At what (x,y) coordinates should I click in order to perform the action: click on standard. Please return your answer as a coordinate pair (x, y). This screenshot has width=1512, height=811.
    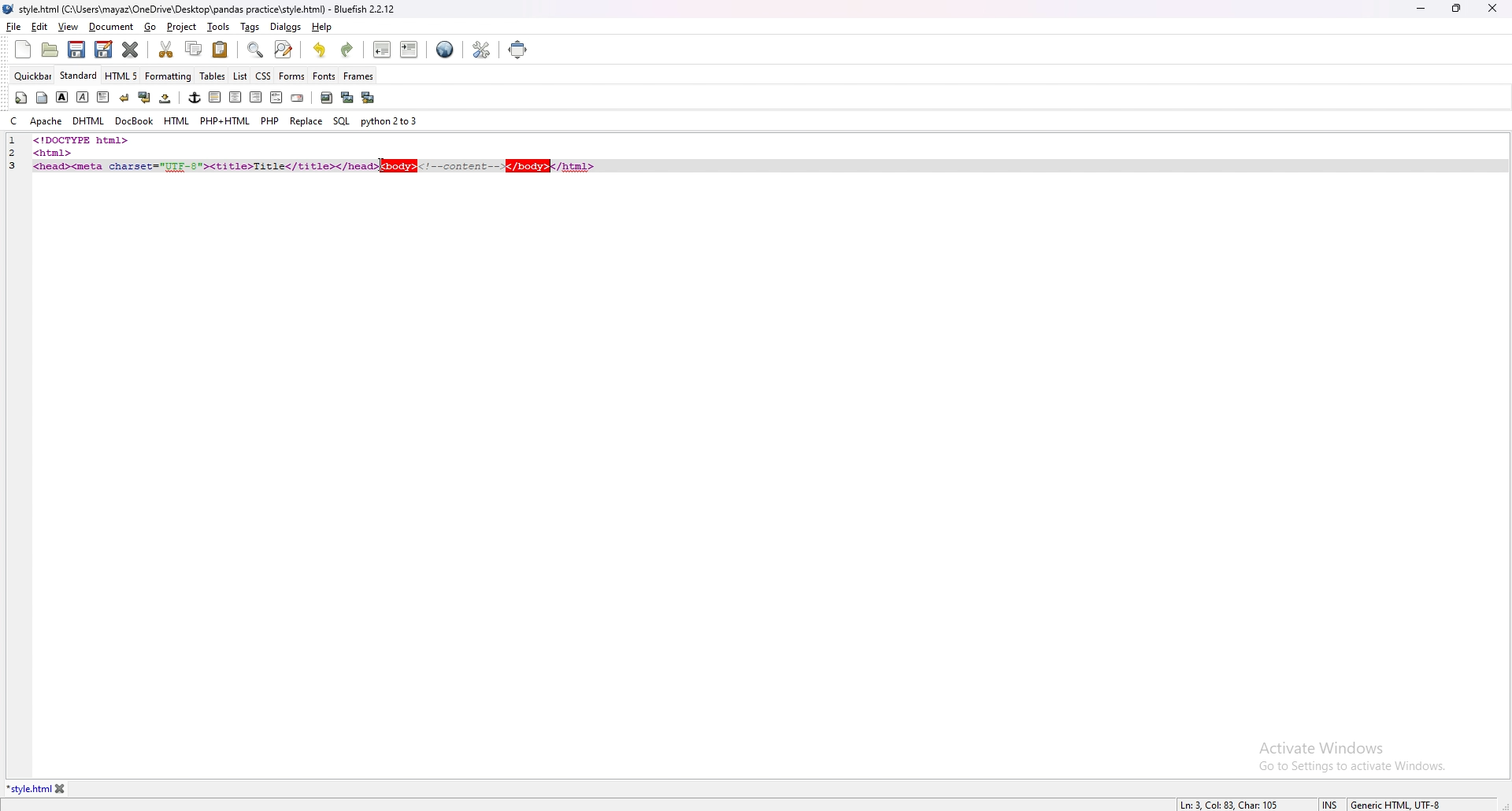
    Looking at the image, I should click on (80, 76).